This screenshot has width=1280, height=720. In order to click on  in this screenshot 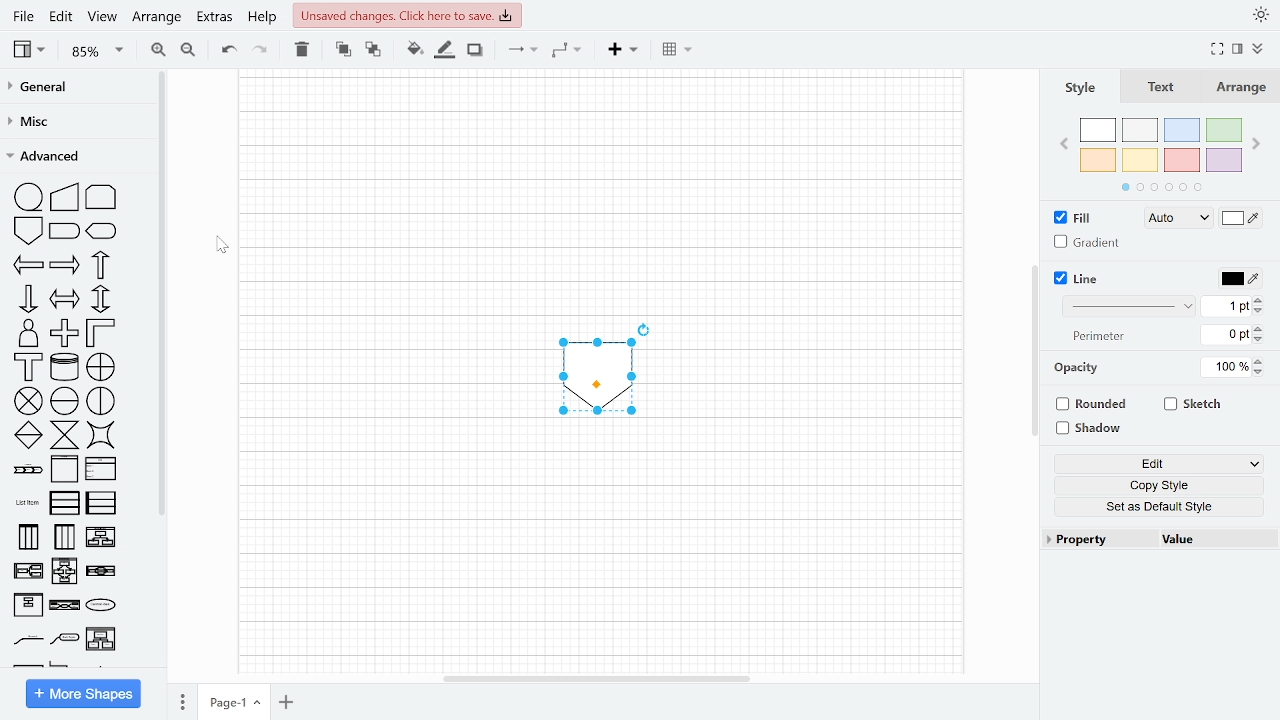, I will do `click(1165, 486)`.